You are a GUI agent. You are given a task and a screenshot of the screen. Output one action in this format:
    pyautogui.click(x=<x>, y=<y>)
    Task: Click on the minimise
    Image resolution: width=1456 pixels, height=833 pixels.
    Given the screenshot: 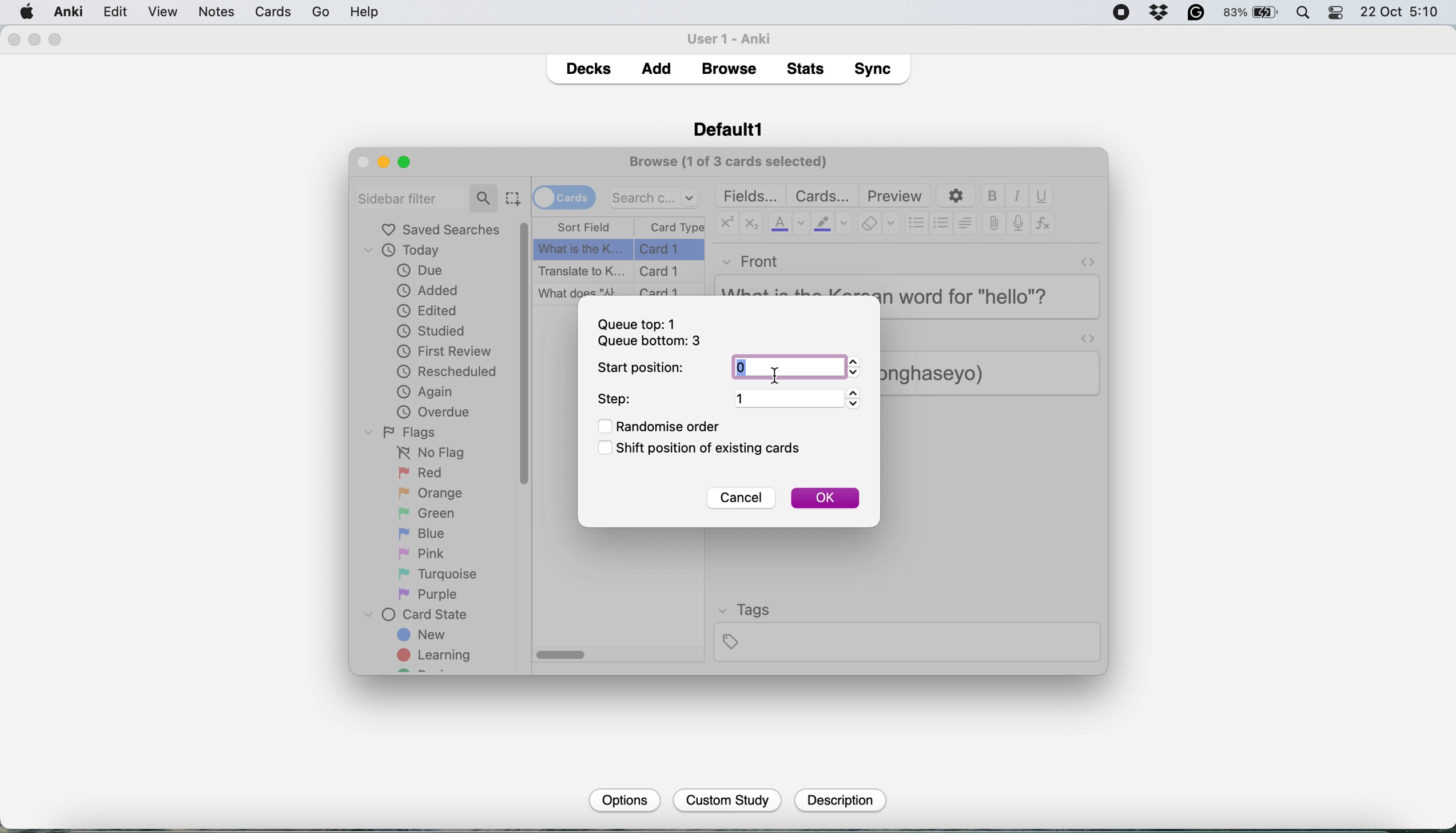 What is the action you would take?
    pyautogui.click(x=383, y=162)
    